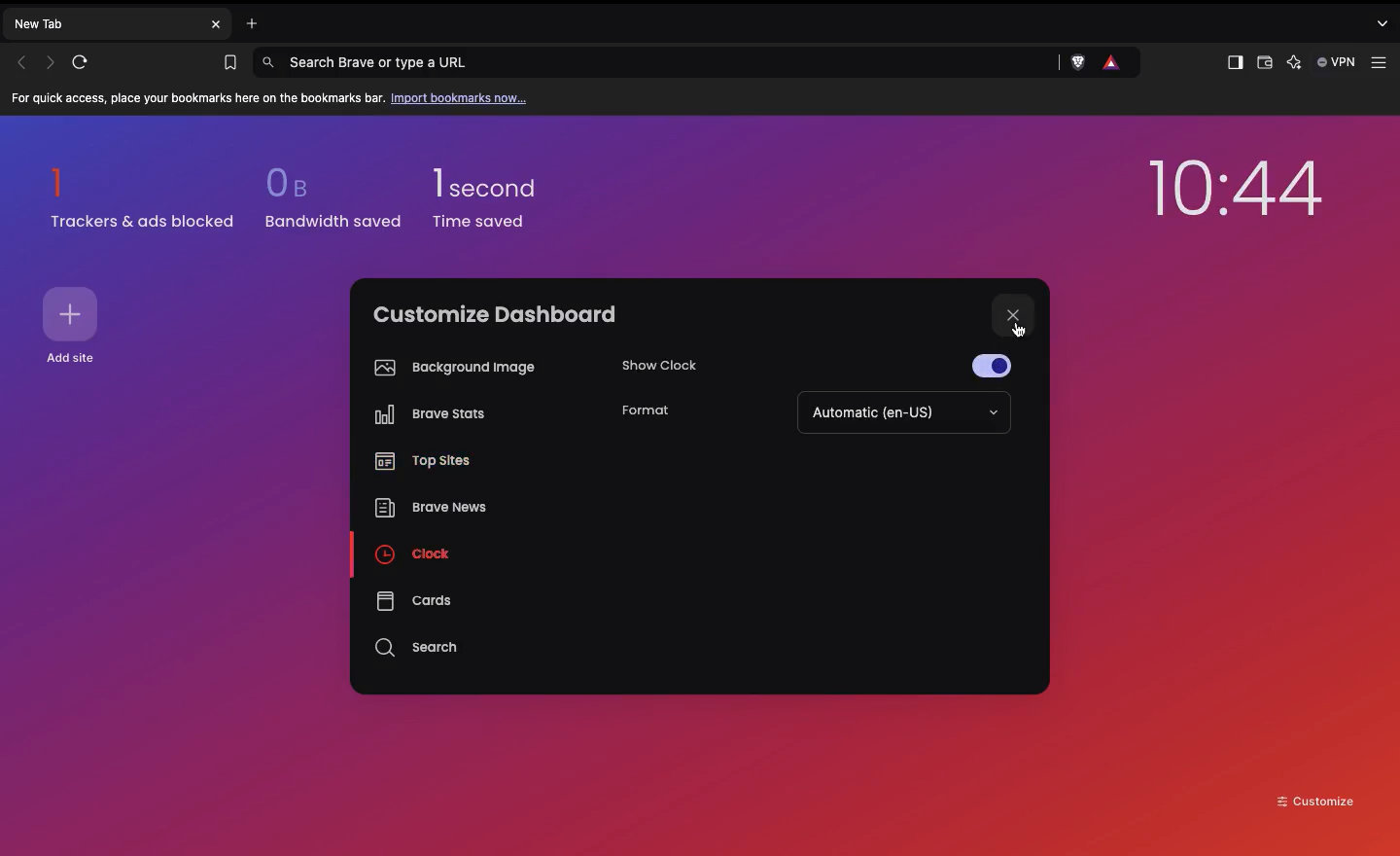  I want to click on Search Brave or type a URL, so click(654, 61).